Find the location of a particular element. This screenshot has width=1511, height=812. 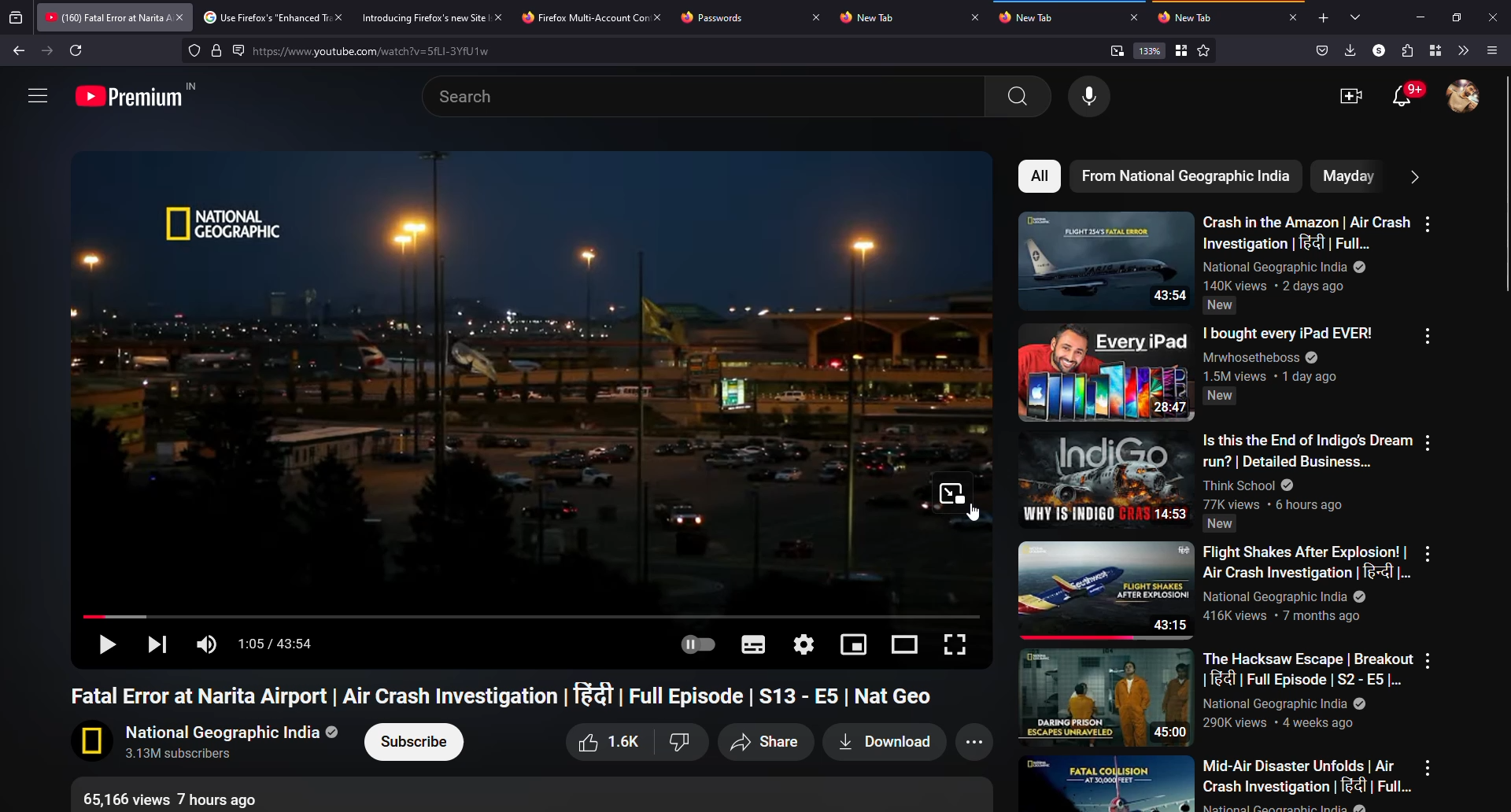

tab is located at coordinates (1026, 17).